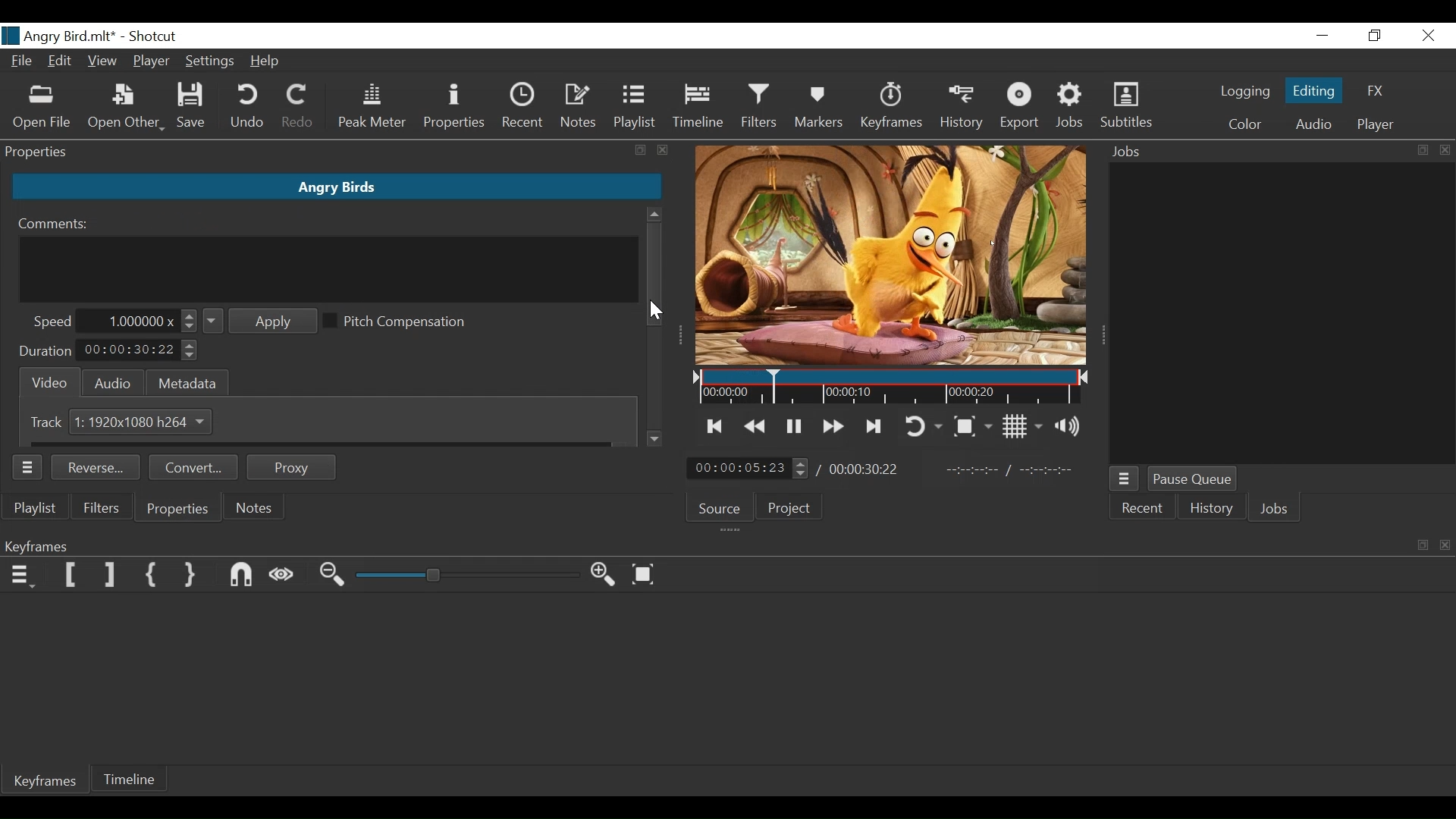 This screenshot has height=819, width=1456. What do you see at coordinates (1209, 510) in the screenshot?
I see `History` at bounding box center [1209, 510].